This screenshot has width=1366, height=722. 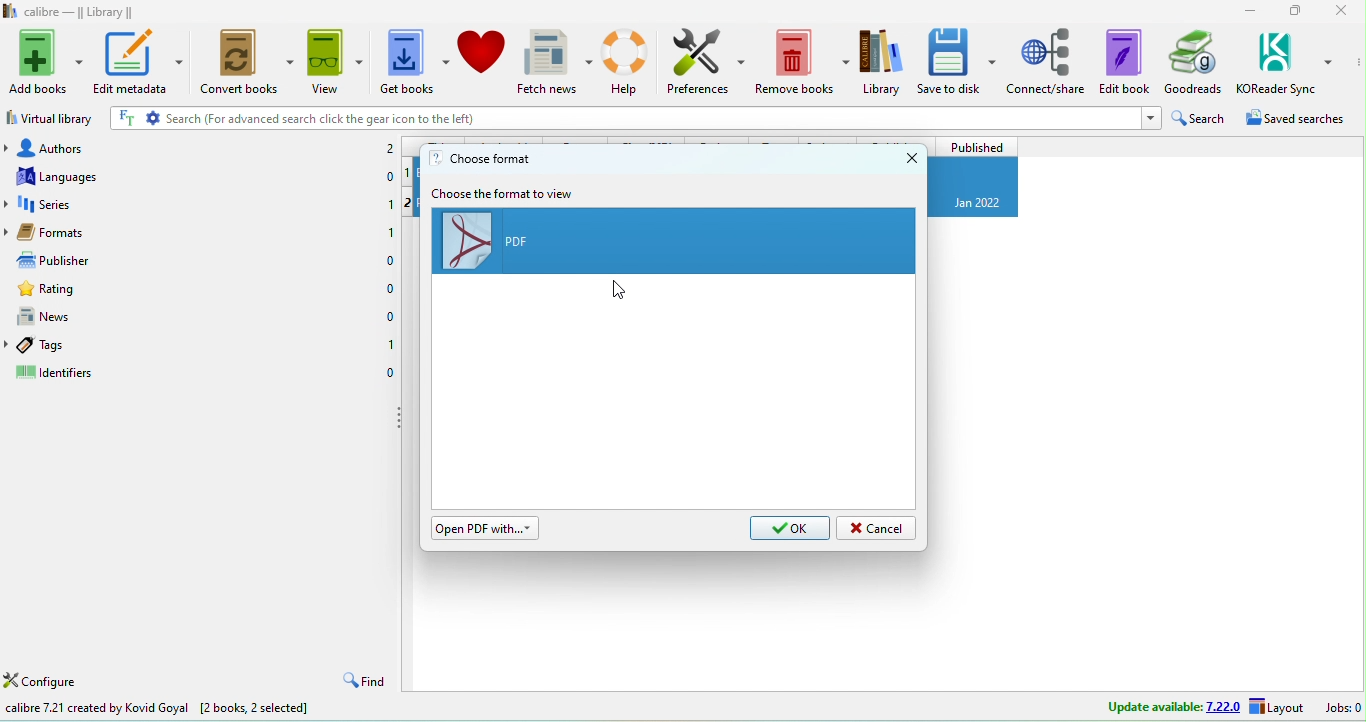 What do you see at coordinates (975, 146) in the screenshot?
I see `published` at bounding box center [975, 146].